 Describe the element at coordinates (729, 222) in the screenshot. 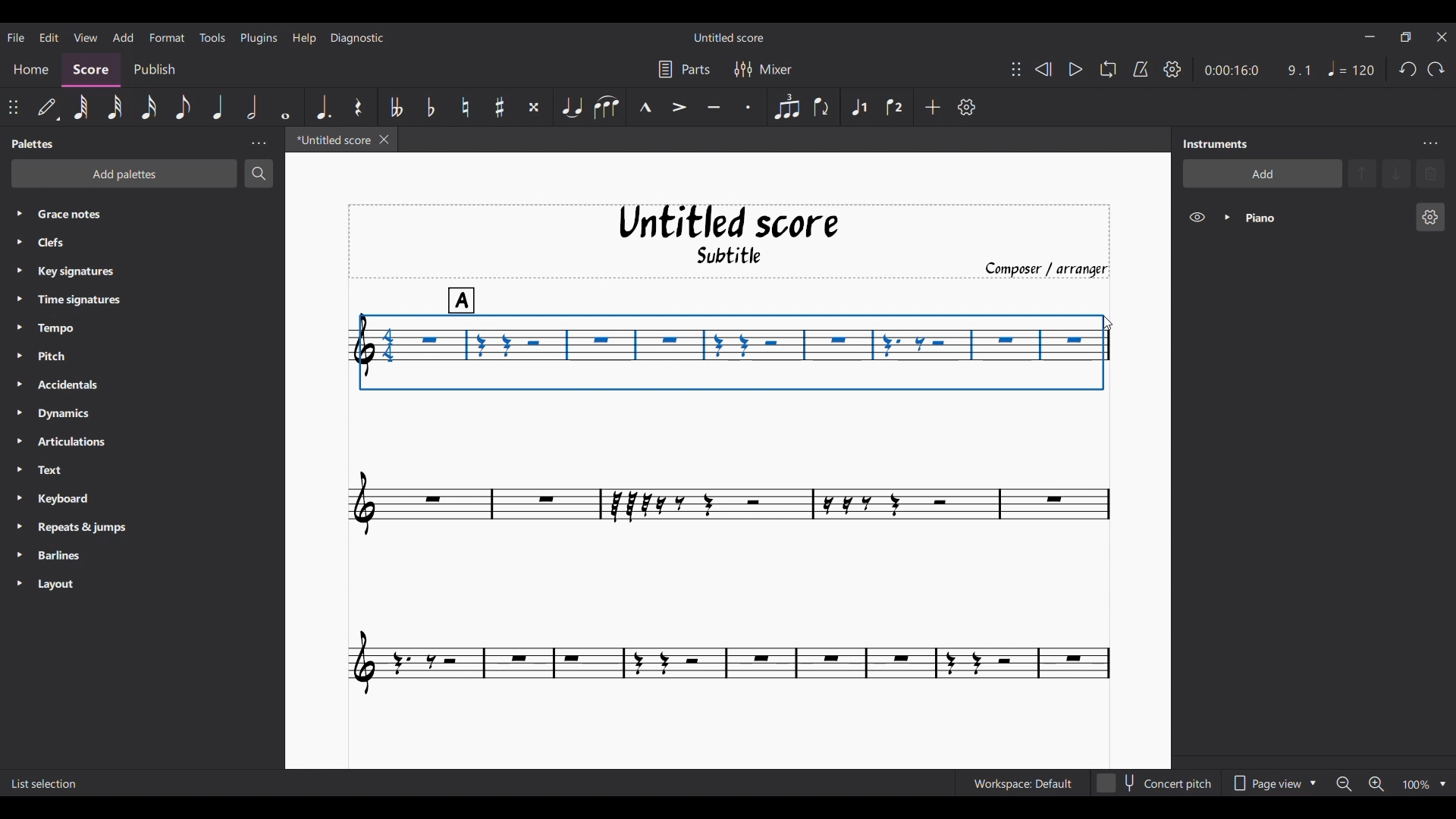

I see `Untitled score` at that location.